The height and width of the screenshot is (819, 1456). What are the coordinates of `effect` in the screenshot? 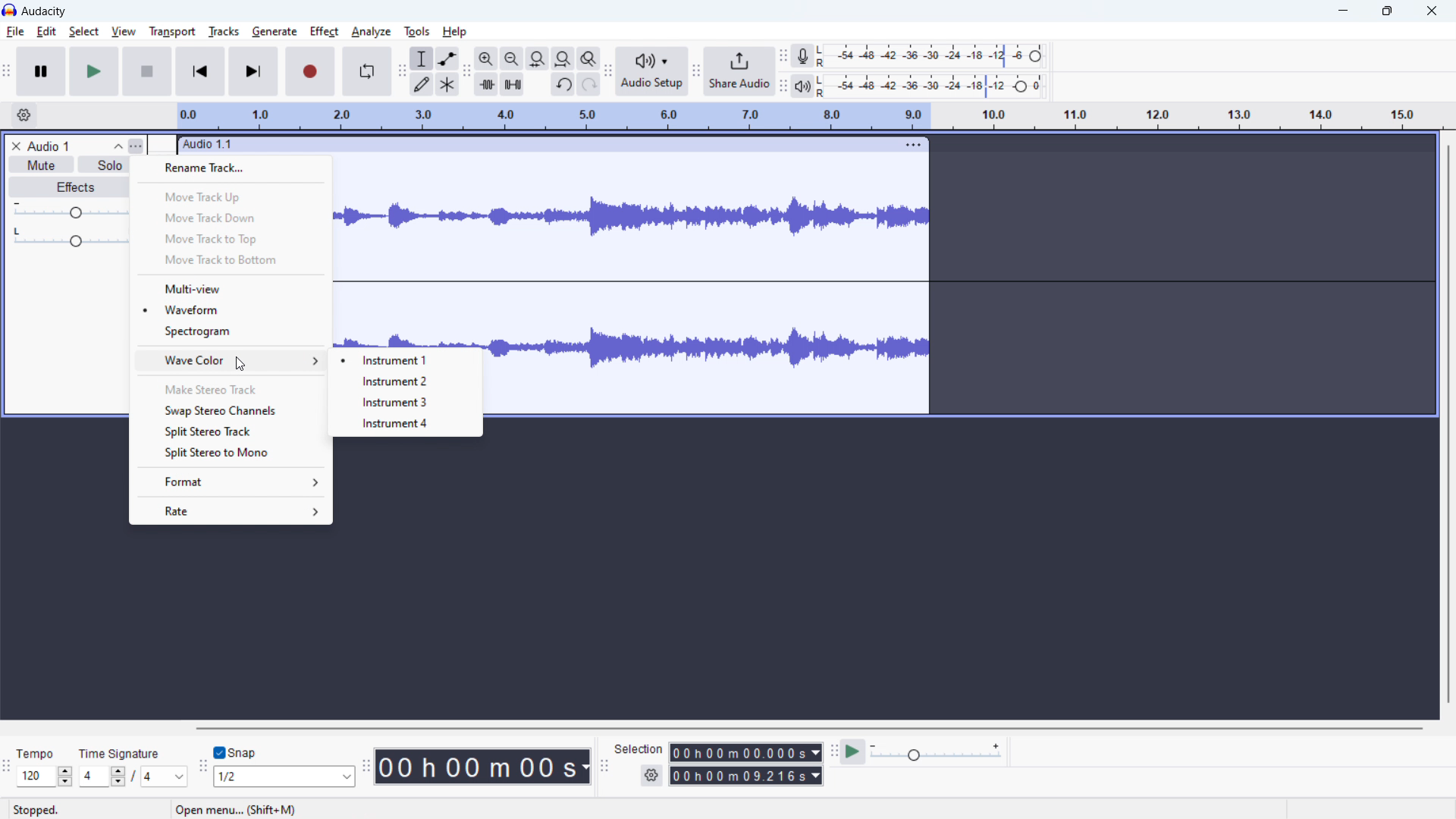 It's located at (325, 32).